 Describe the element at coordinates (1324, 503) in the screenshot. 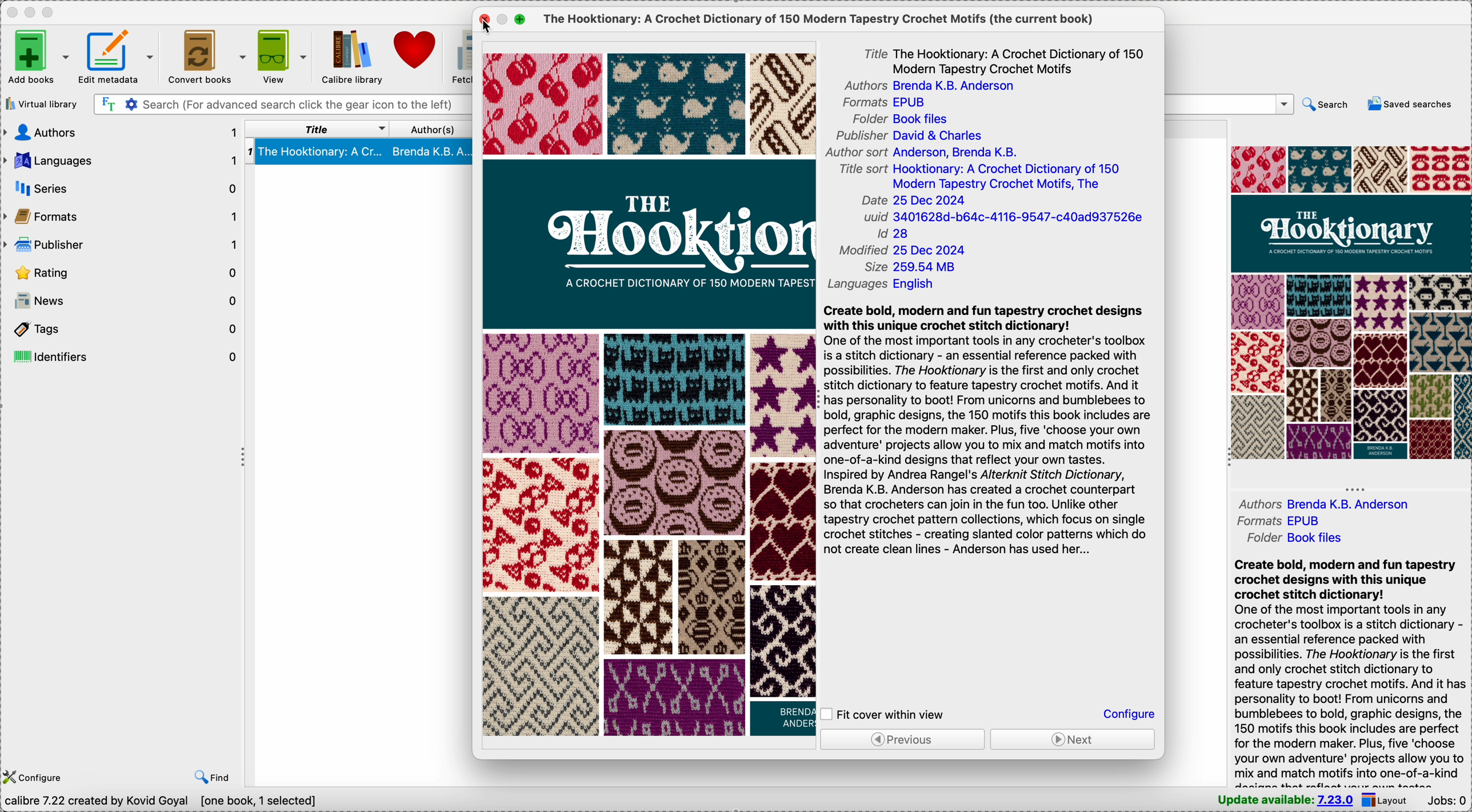

I see `authors` at that location.